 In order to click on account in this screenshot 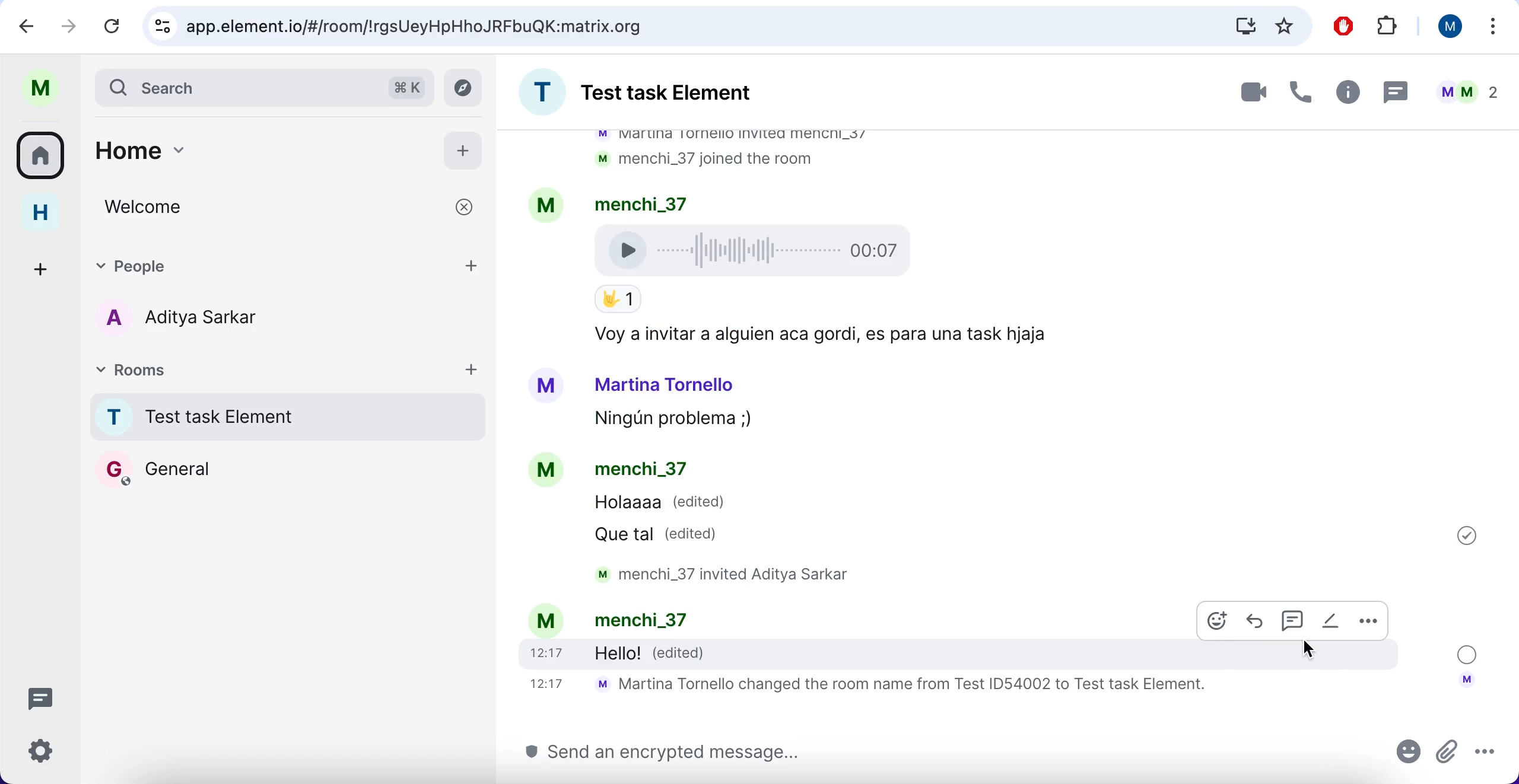, I will do `click(544, 619)`.